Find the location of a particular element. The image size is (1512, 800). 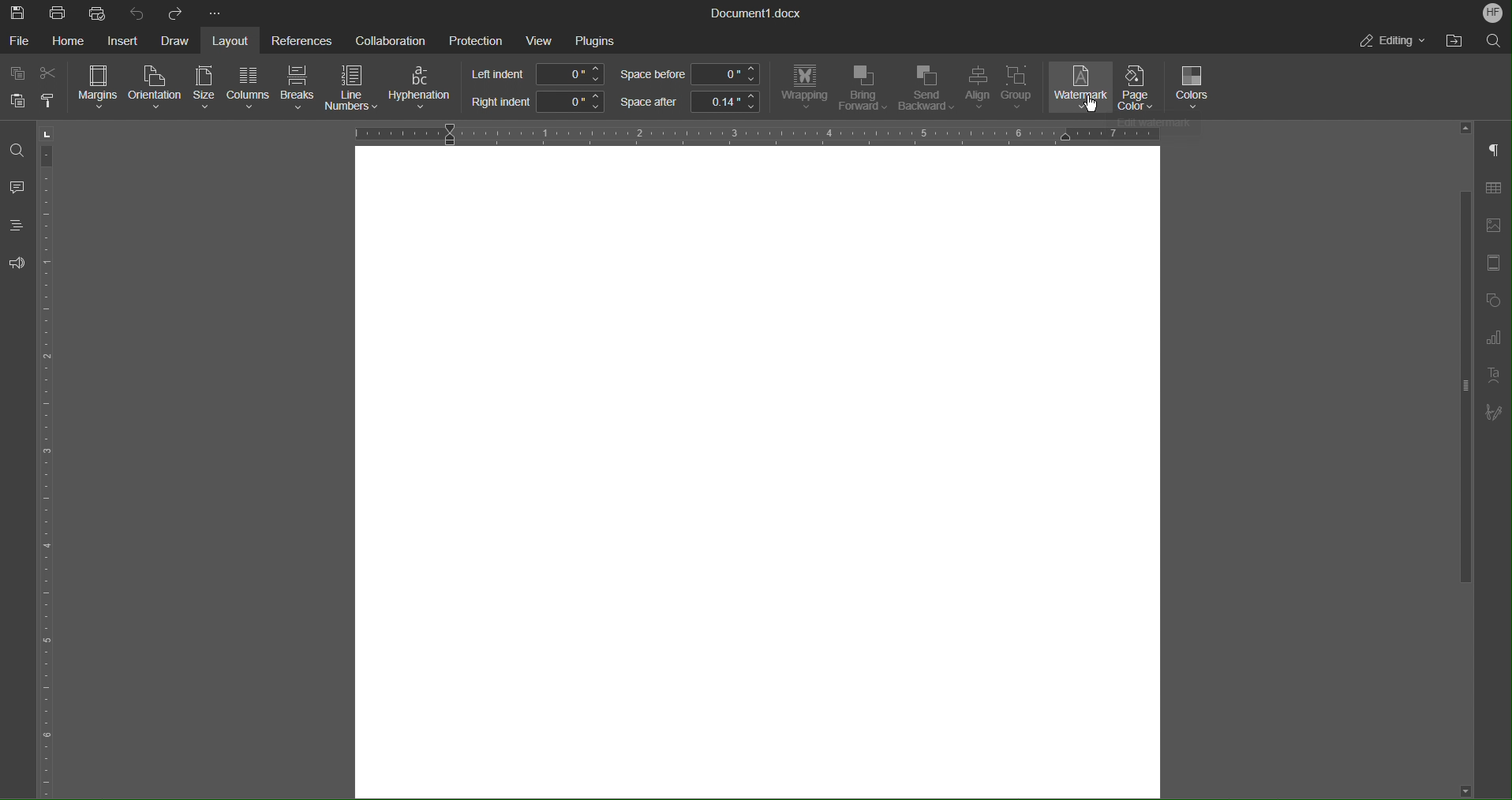

Document Title is located at coordinates (757, 13).